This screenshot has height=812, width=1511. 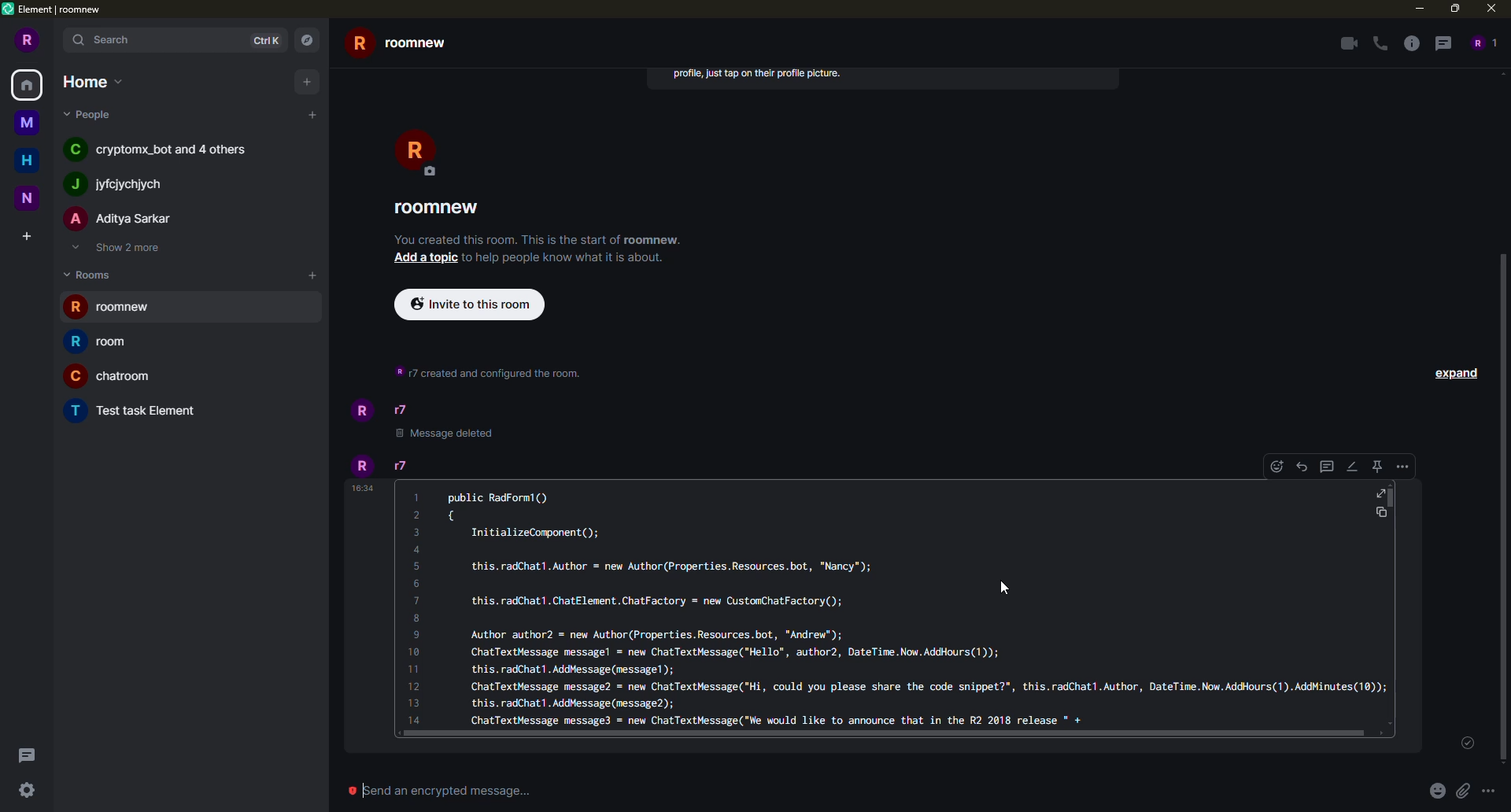 I want to click on threads, so click(x=1443, y=42).